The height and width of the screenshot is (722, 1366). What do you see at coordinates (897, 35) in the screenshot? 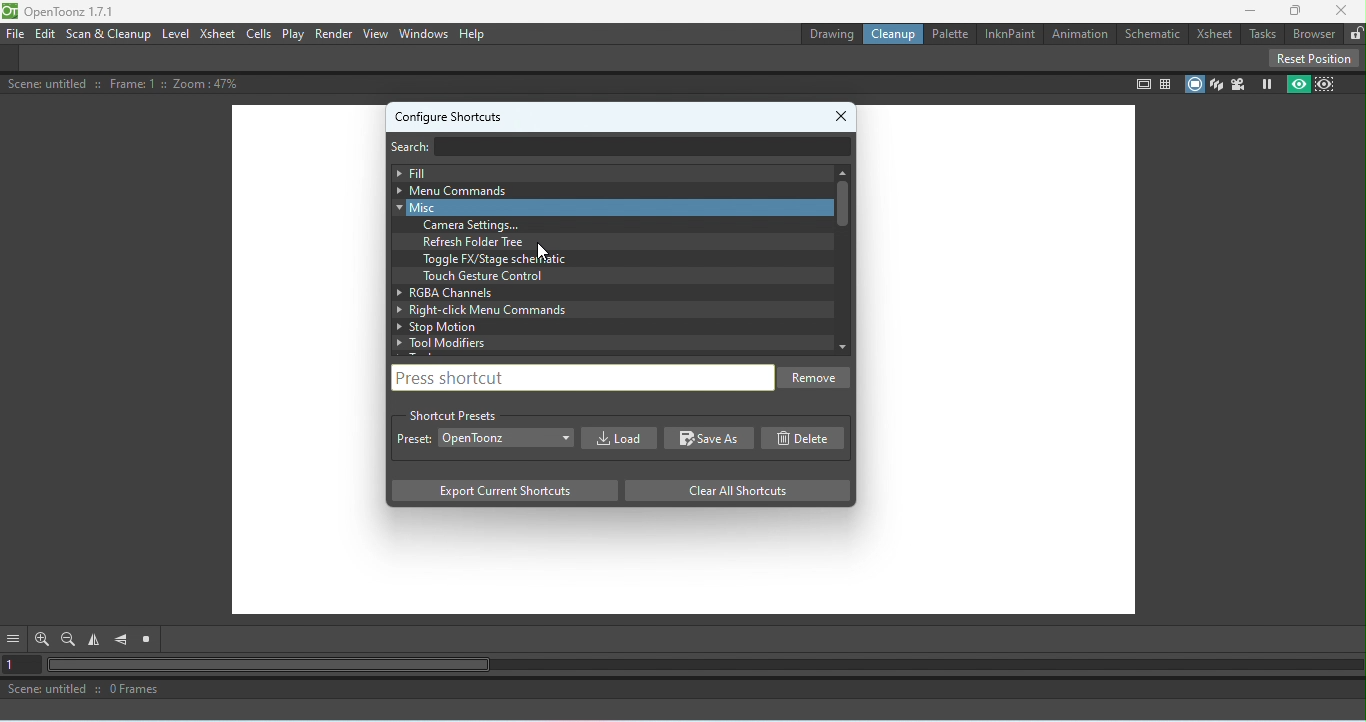
I see `Cleanup` at bounding box center [897, 35].